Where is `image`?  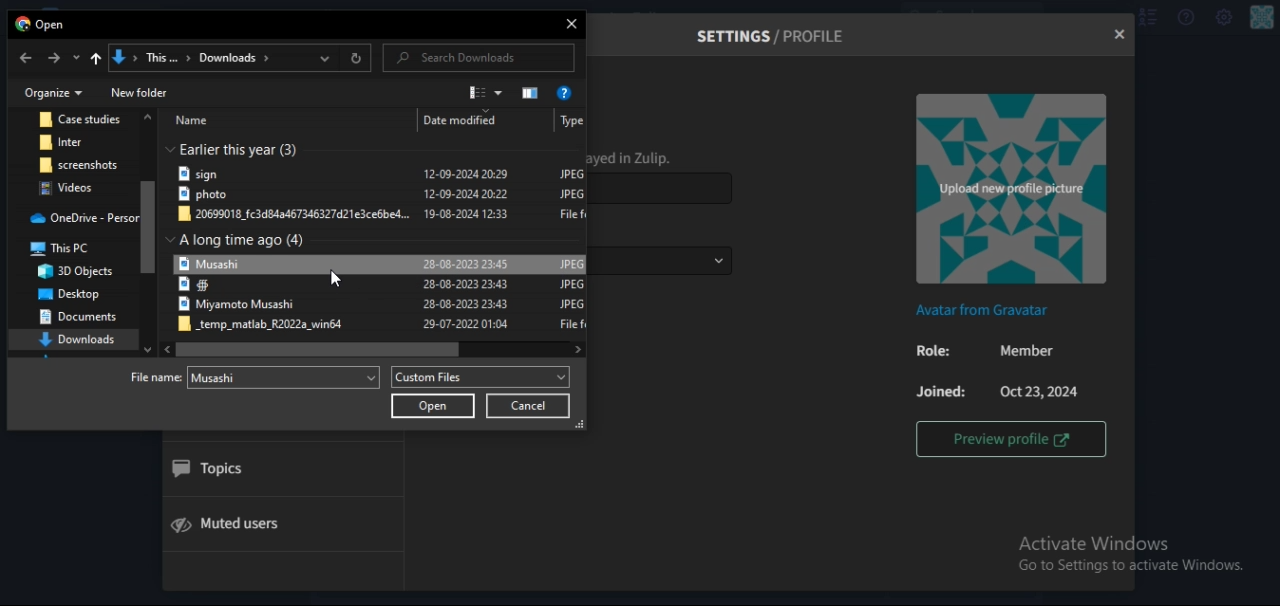
image is located at coordinates (1009, 190).